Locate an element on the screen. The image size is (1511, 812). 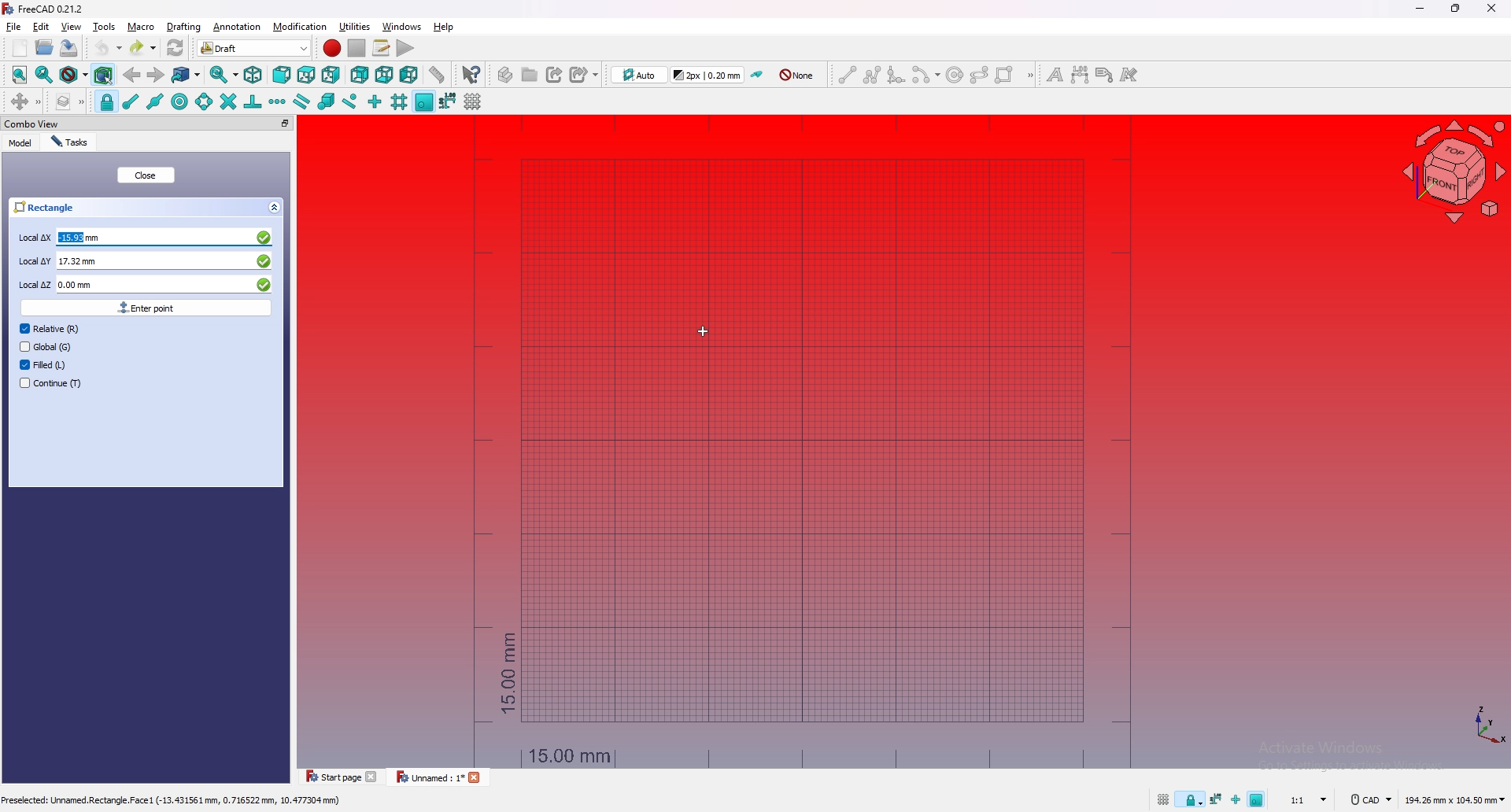
snap ortho is located at coordinates (375, 102).